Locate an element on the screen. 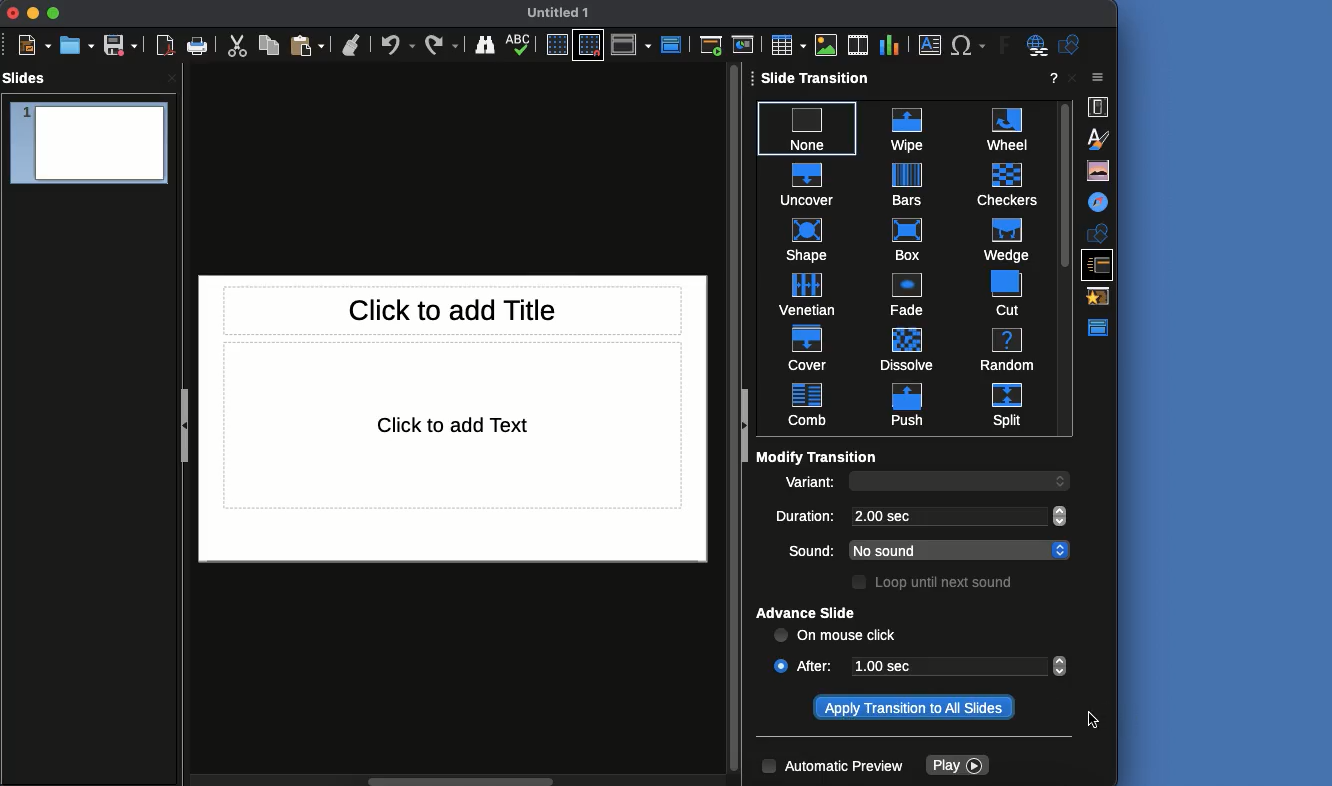 The image size is (1332, 786). Gallery is located at coordinates (1099, 172).